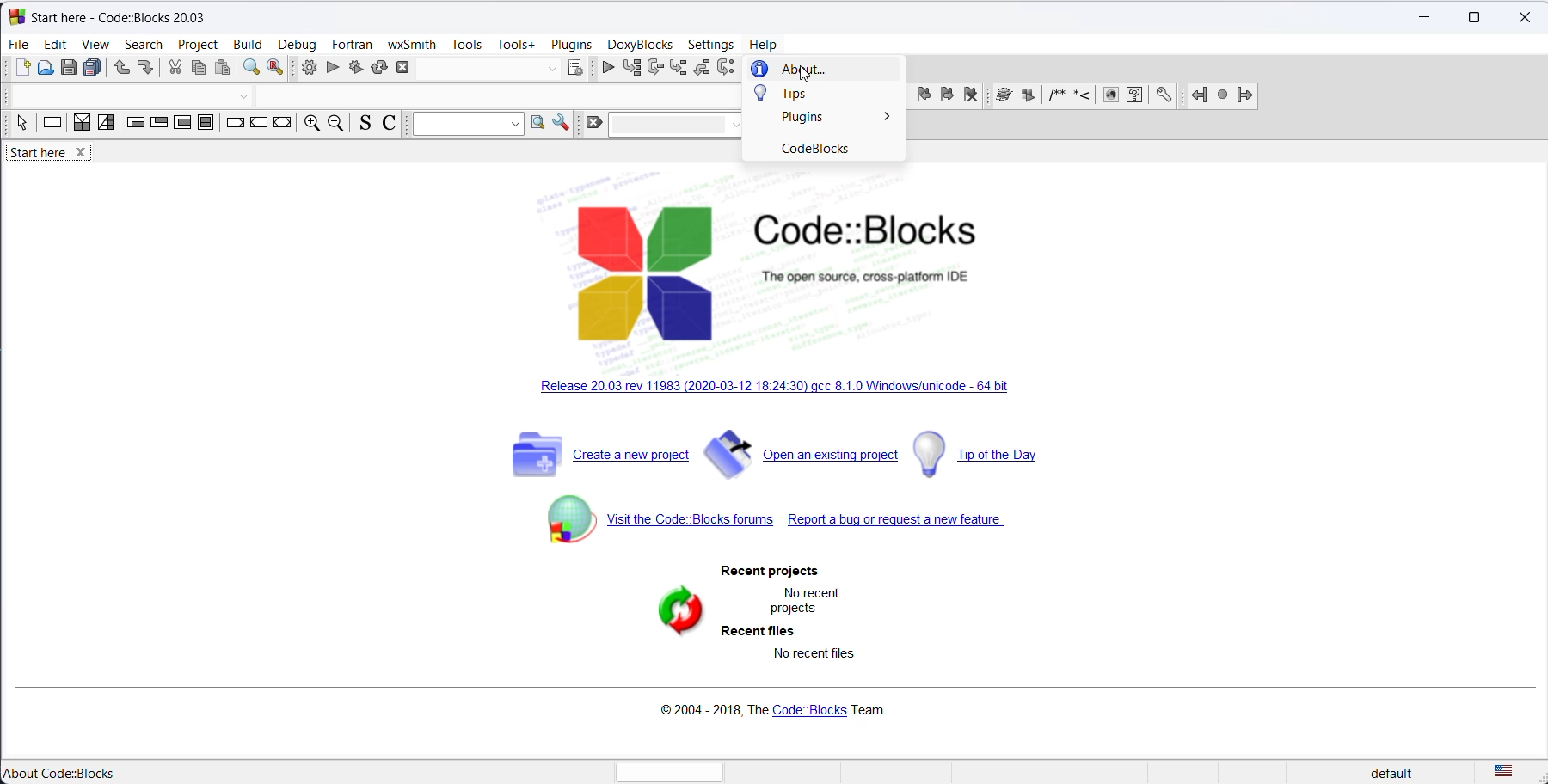 The width and height of the screenshot is (1548, 784). Describe the element at coordinates (593, 125) in the screenshot. I see `clear` at that location.